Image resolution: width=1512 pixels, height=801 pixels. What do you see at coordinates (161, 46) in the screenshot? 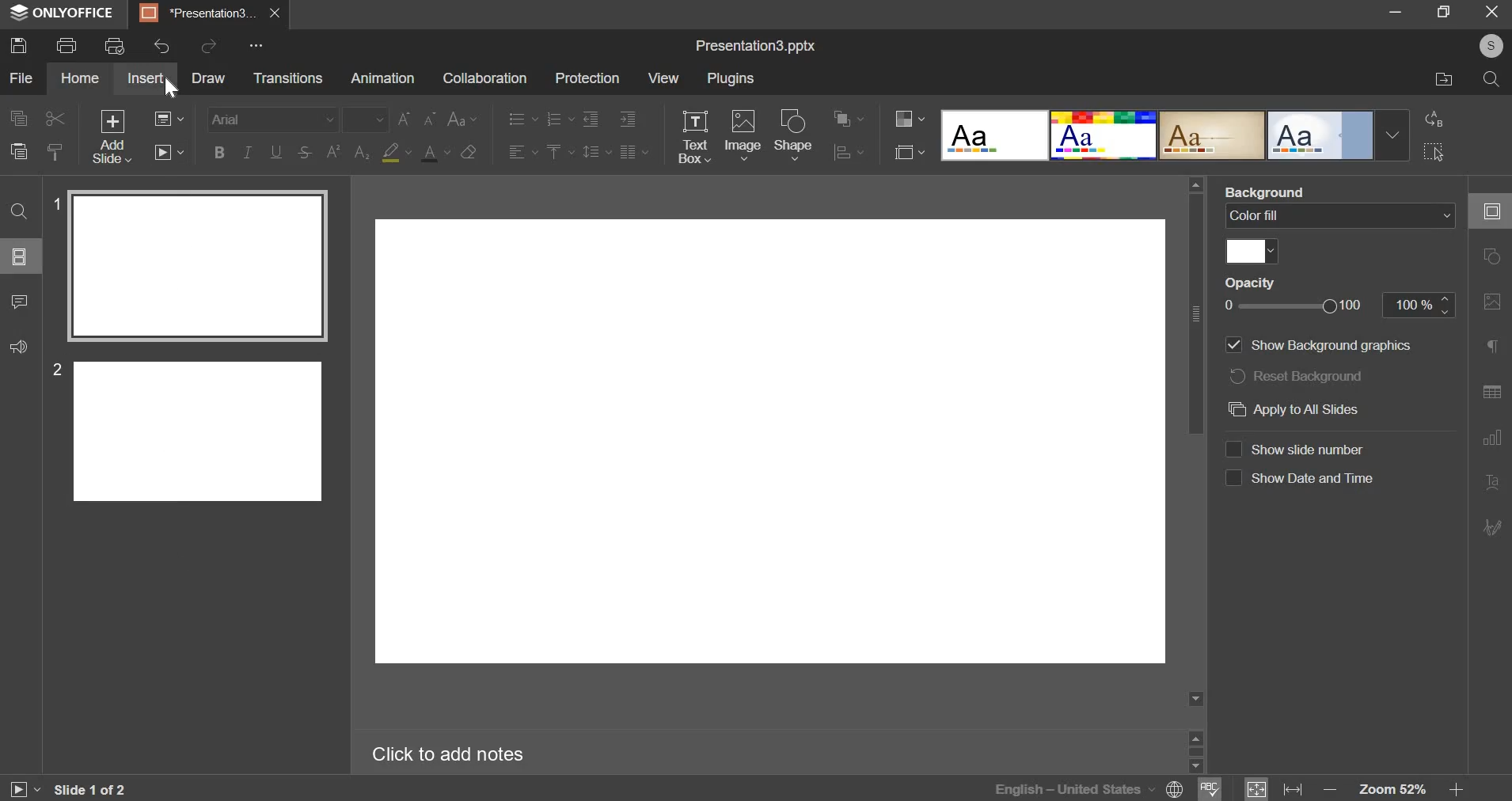
I see `undo` at bounding box center [161, 46].